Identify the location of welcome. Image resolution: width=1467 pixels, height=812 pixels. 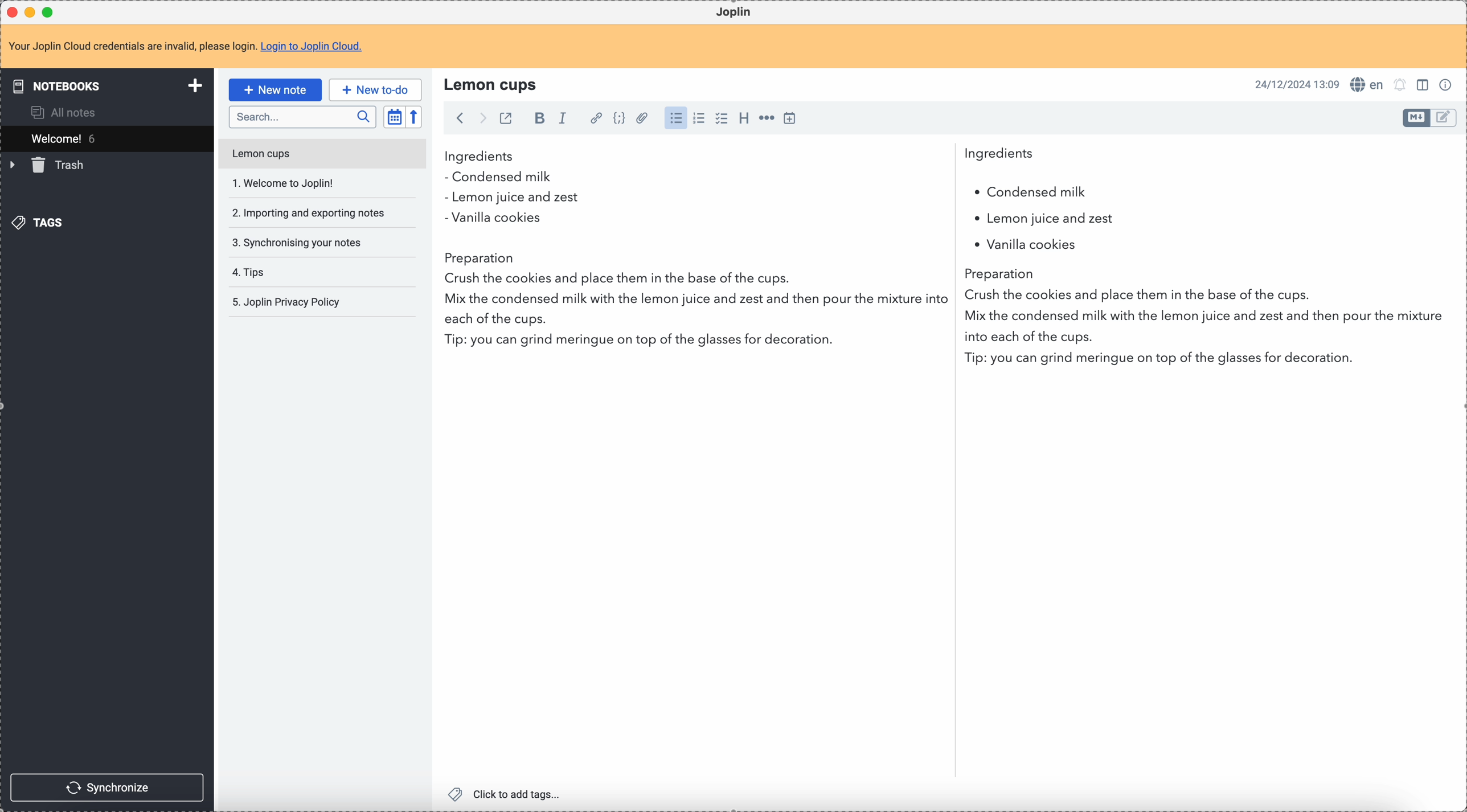
(106, 138).